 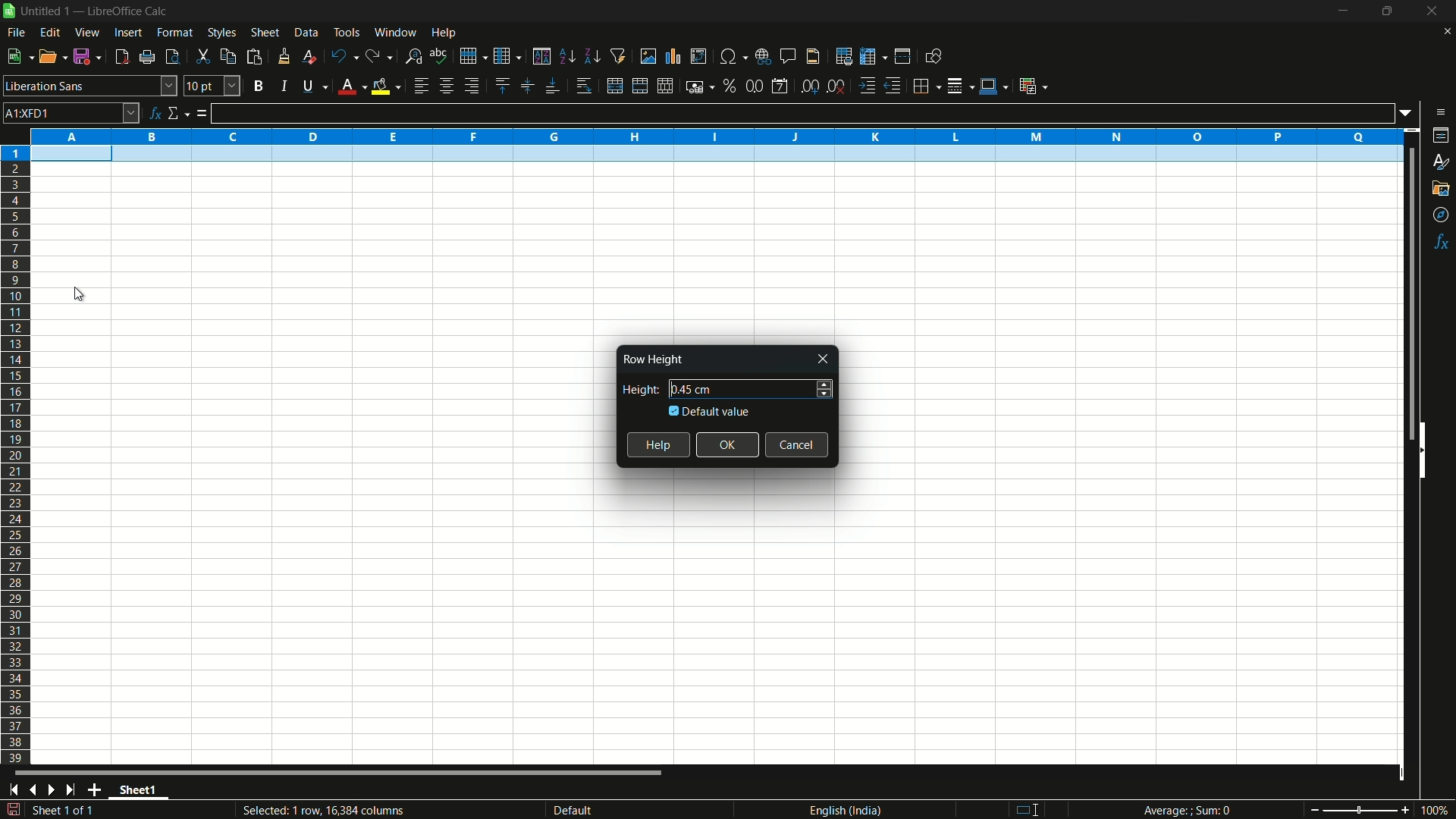 I want to click on help menu, so click(x=445, y=33).